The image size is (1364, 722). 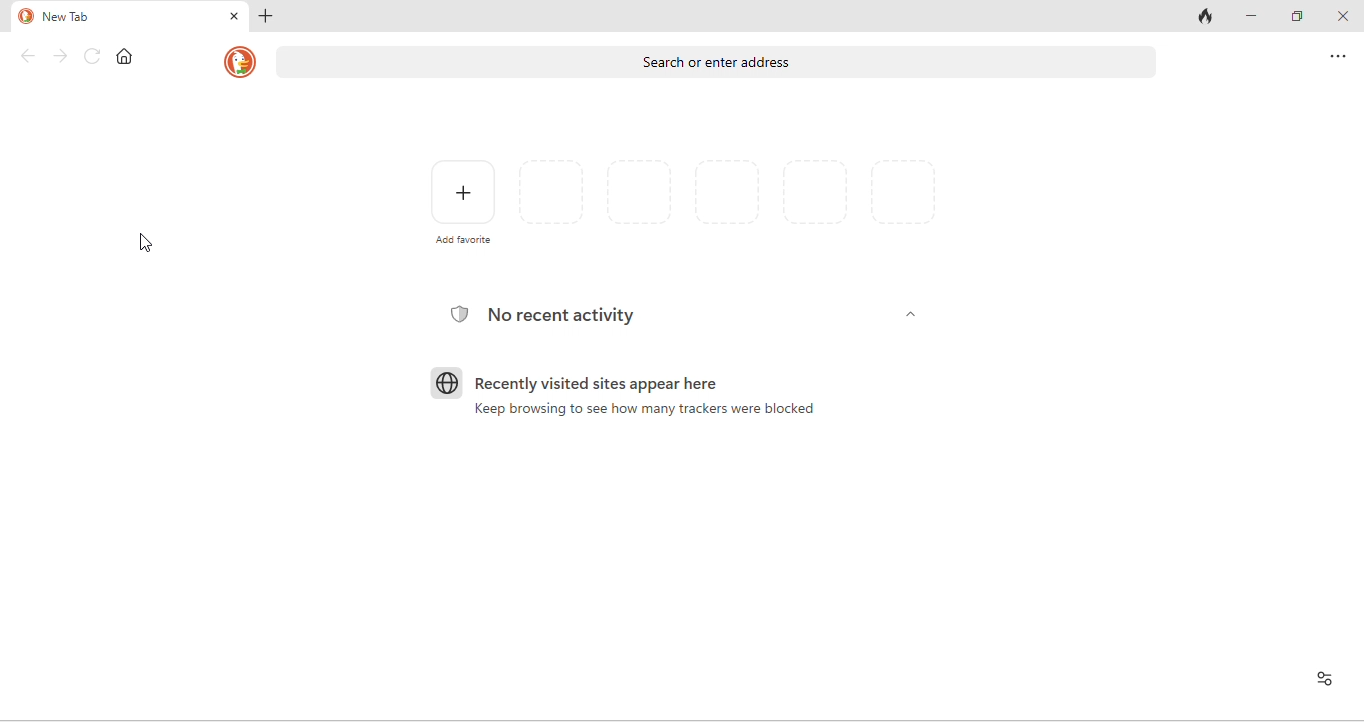 I want to click on forward, so click(x=61, y=57).